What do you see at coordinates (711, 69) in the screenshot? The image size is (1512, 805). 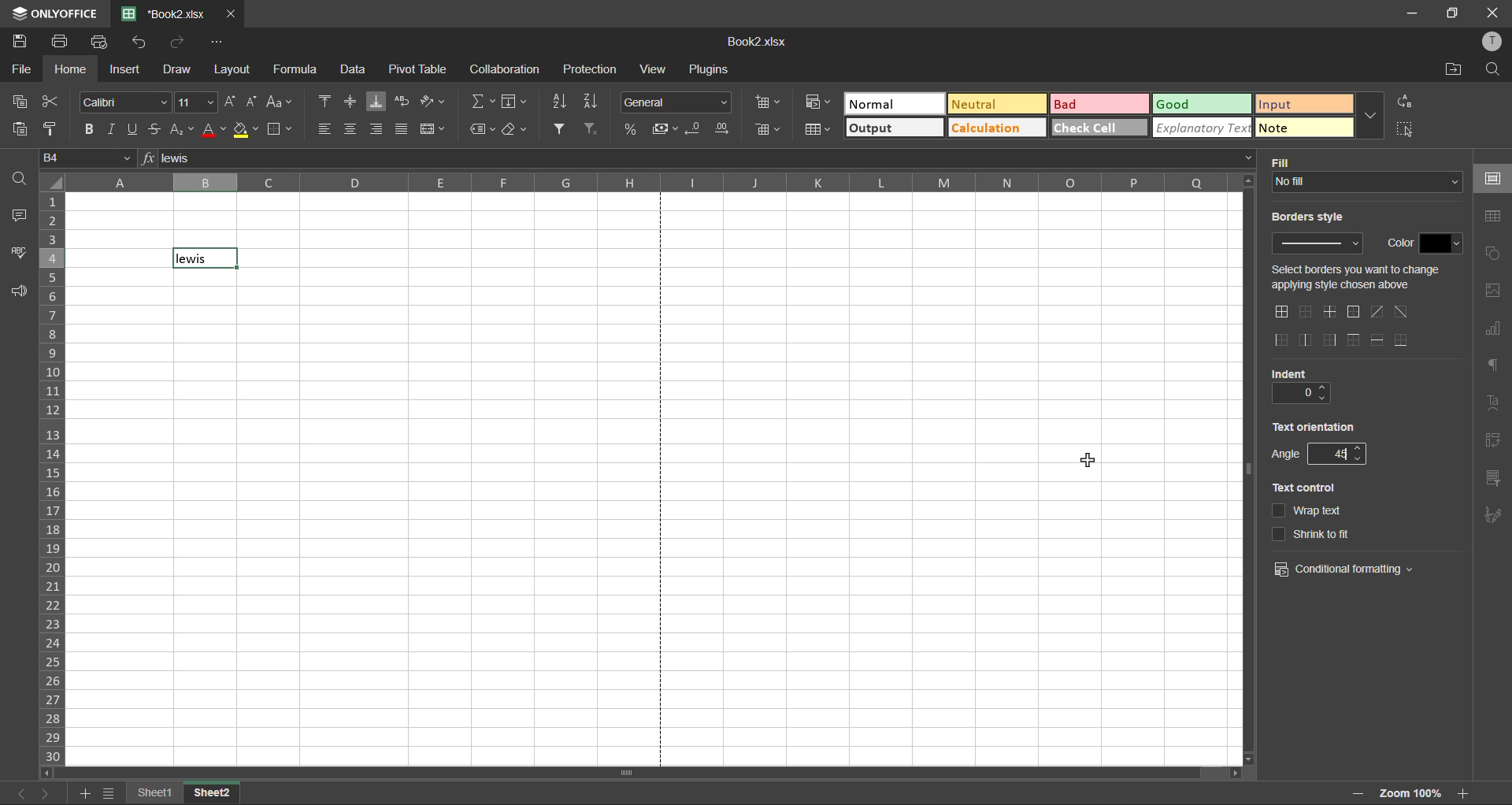 I see `plugins` at bounding box center [711, 69].